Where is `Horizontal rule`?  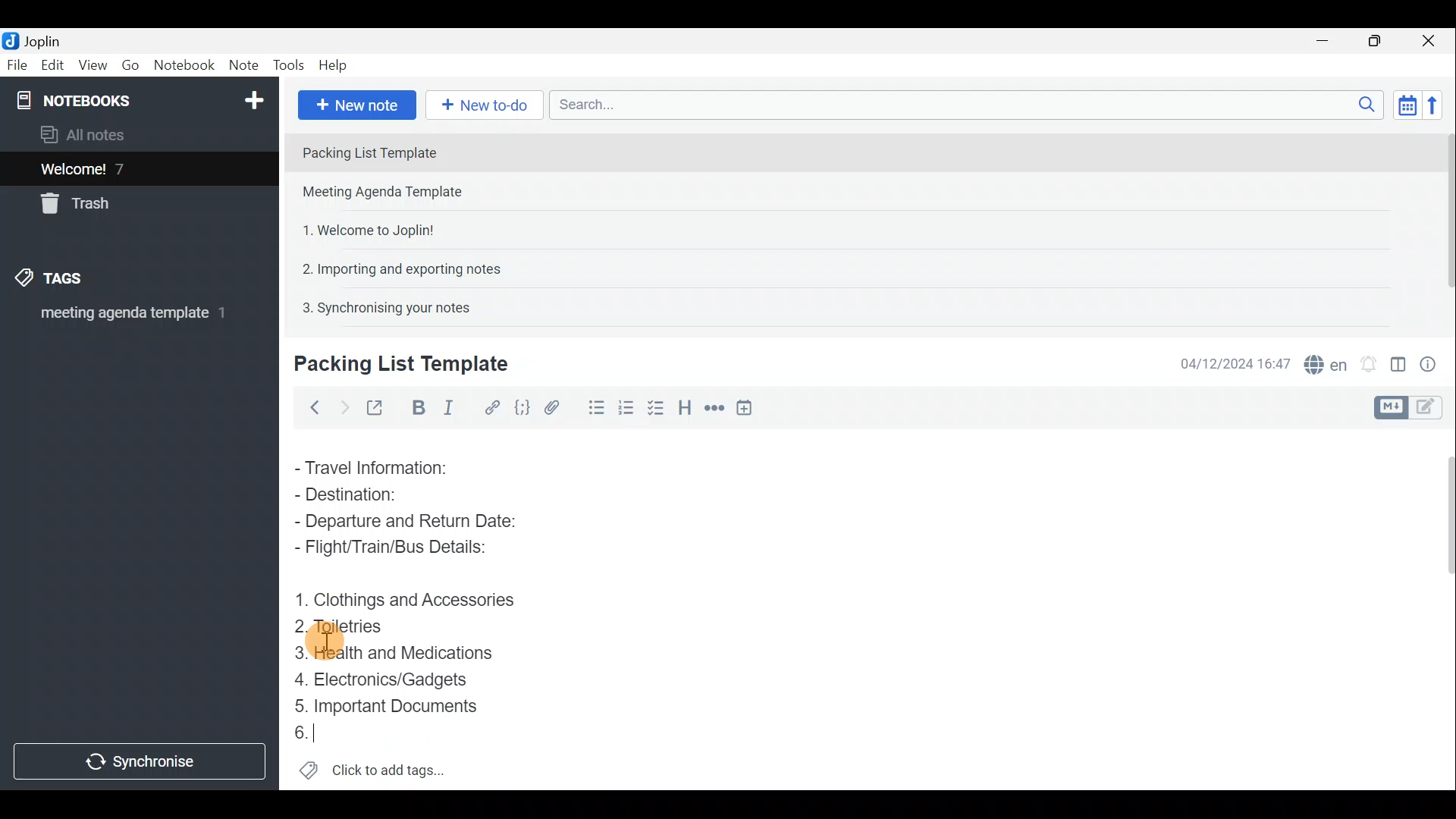
Horizontal rule is located at coordinates (712, 408).